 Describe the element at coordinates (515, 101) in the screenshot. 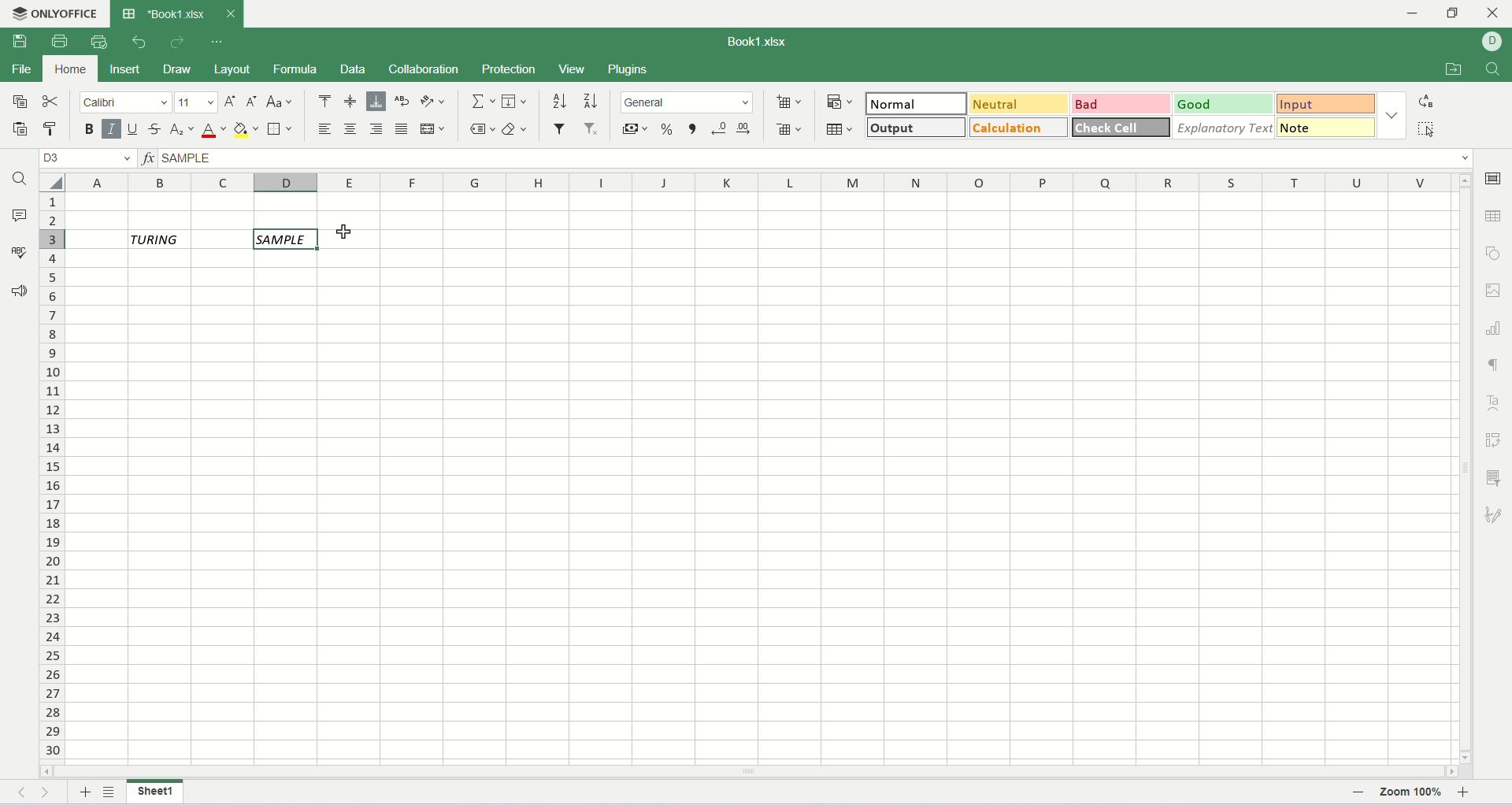

I see `fill` at that location.